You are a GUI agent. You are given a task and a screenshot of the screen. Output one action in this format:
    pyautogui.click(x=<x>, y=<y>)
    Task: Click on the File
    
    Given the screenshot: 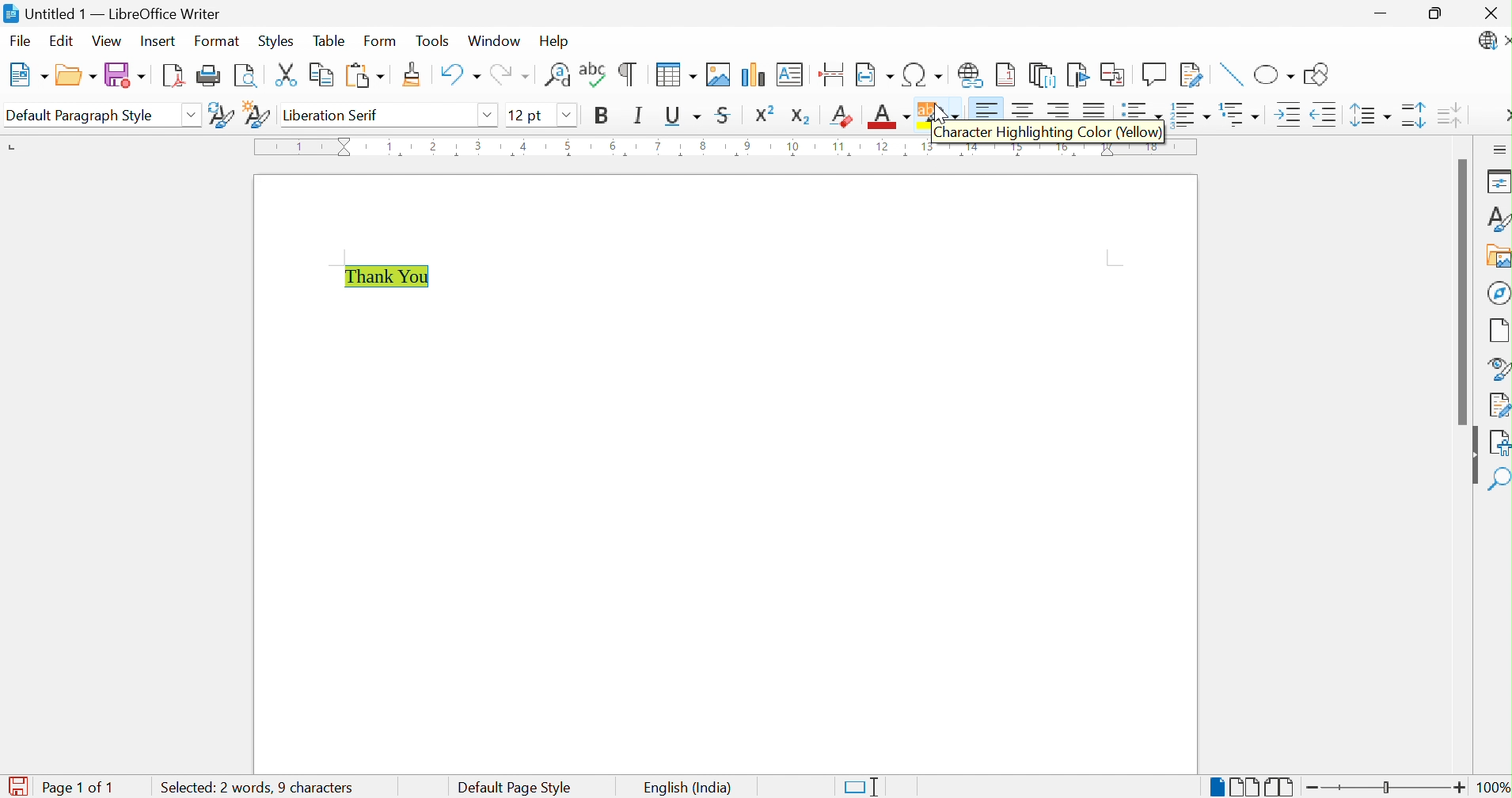 What is the action you would take?
    pyautogui.click(x=21, y=40)
    